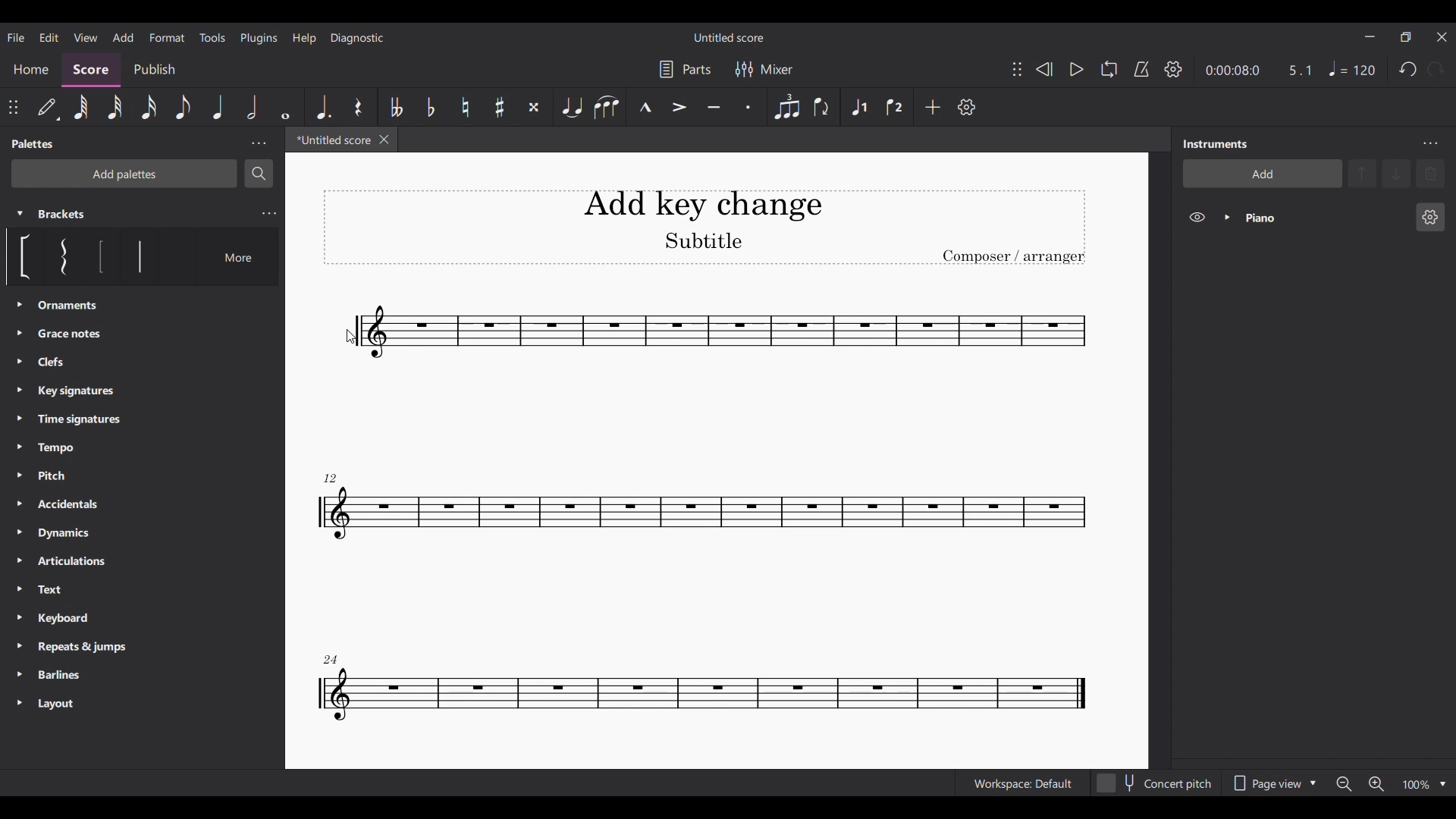 The image size is (1456, 819). I want to click on Toggle double-sharp, so click(534, 108).